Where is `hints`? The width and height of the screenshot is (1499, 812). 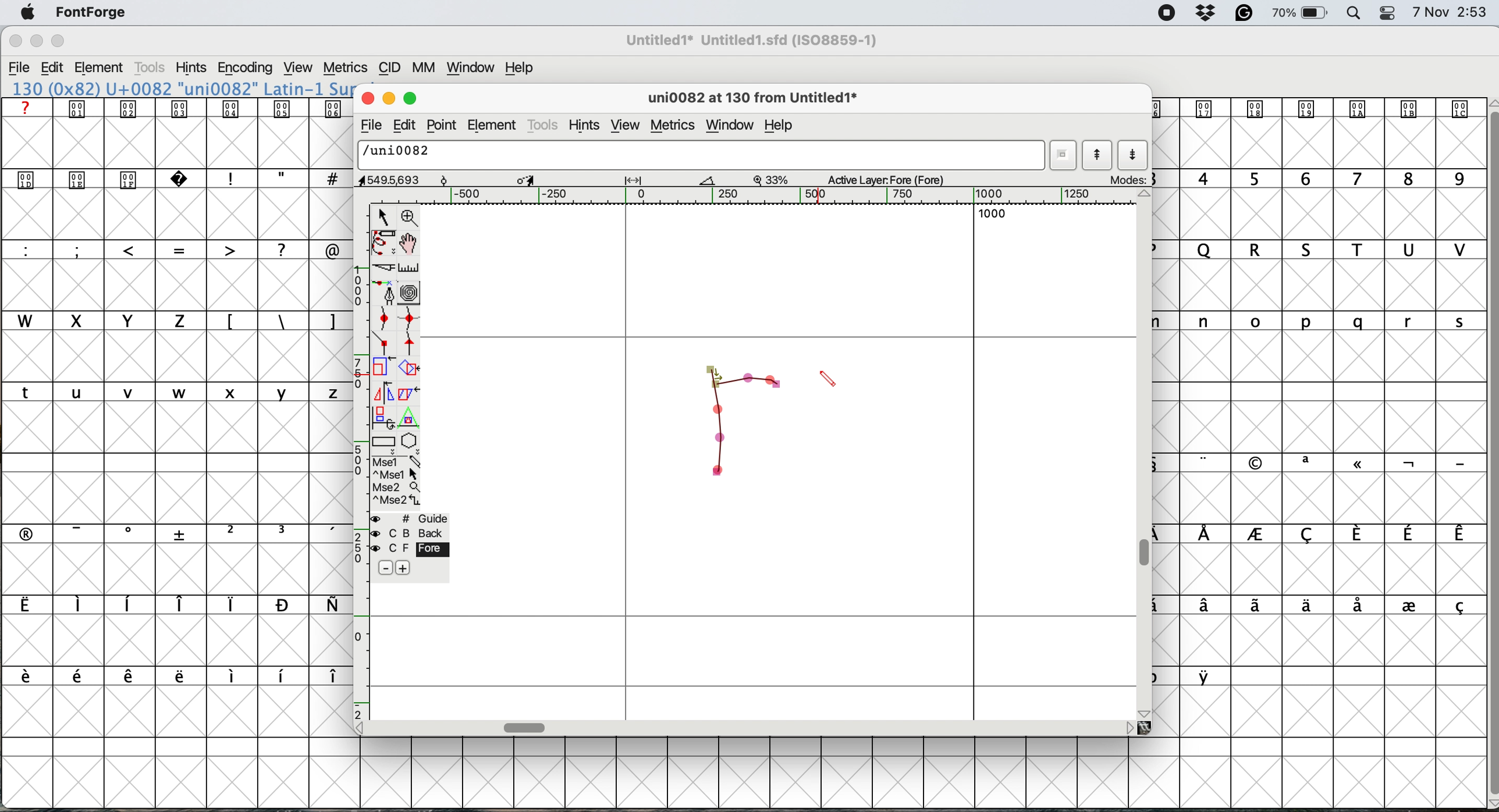
hints is located at coordinates (192, 69).